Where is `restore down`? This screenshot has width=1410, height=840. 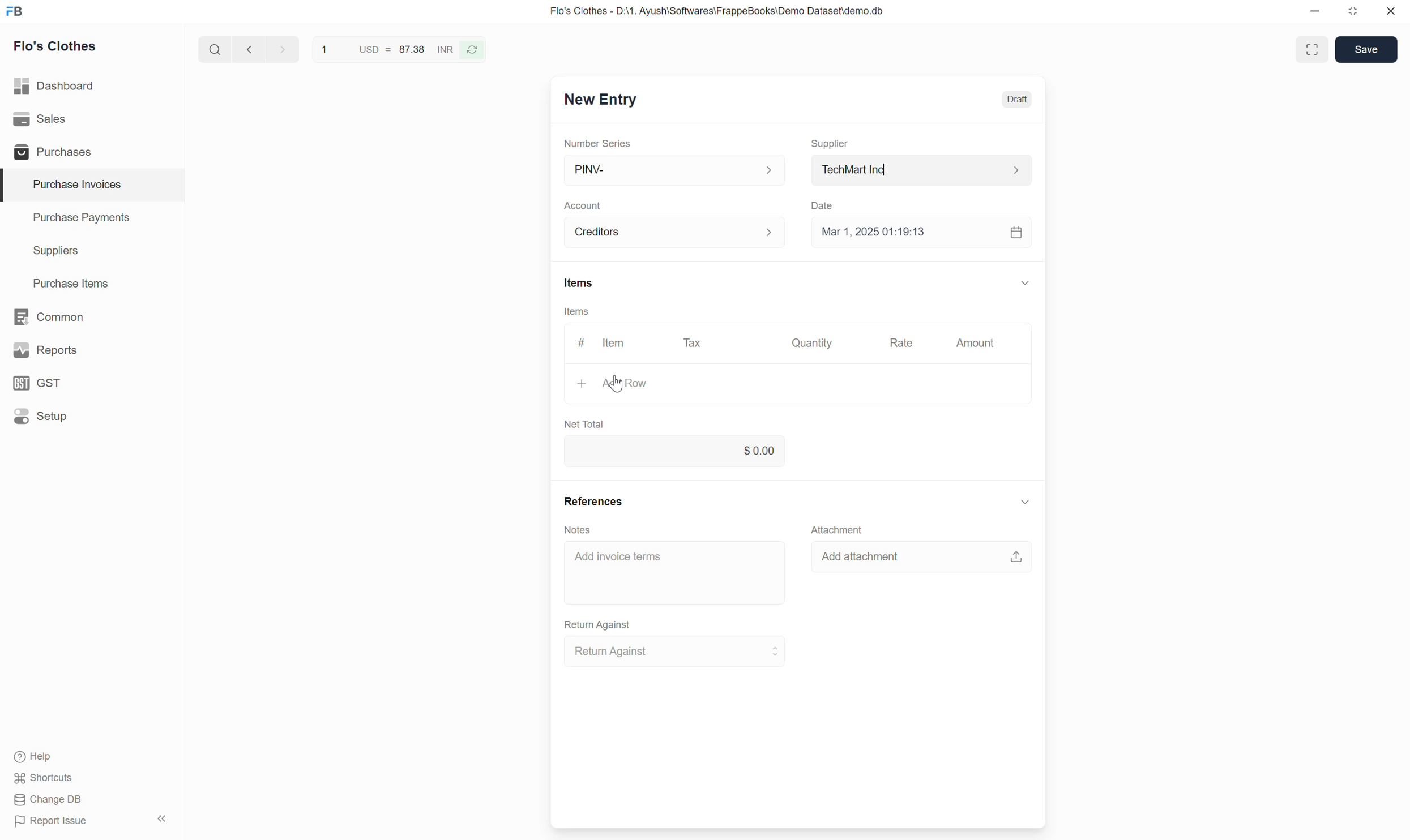 restore down is located at coordinates (1351, 14).